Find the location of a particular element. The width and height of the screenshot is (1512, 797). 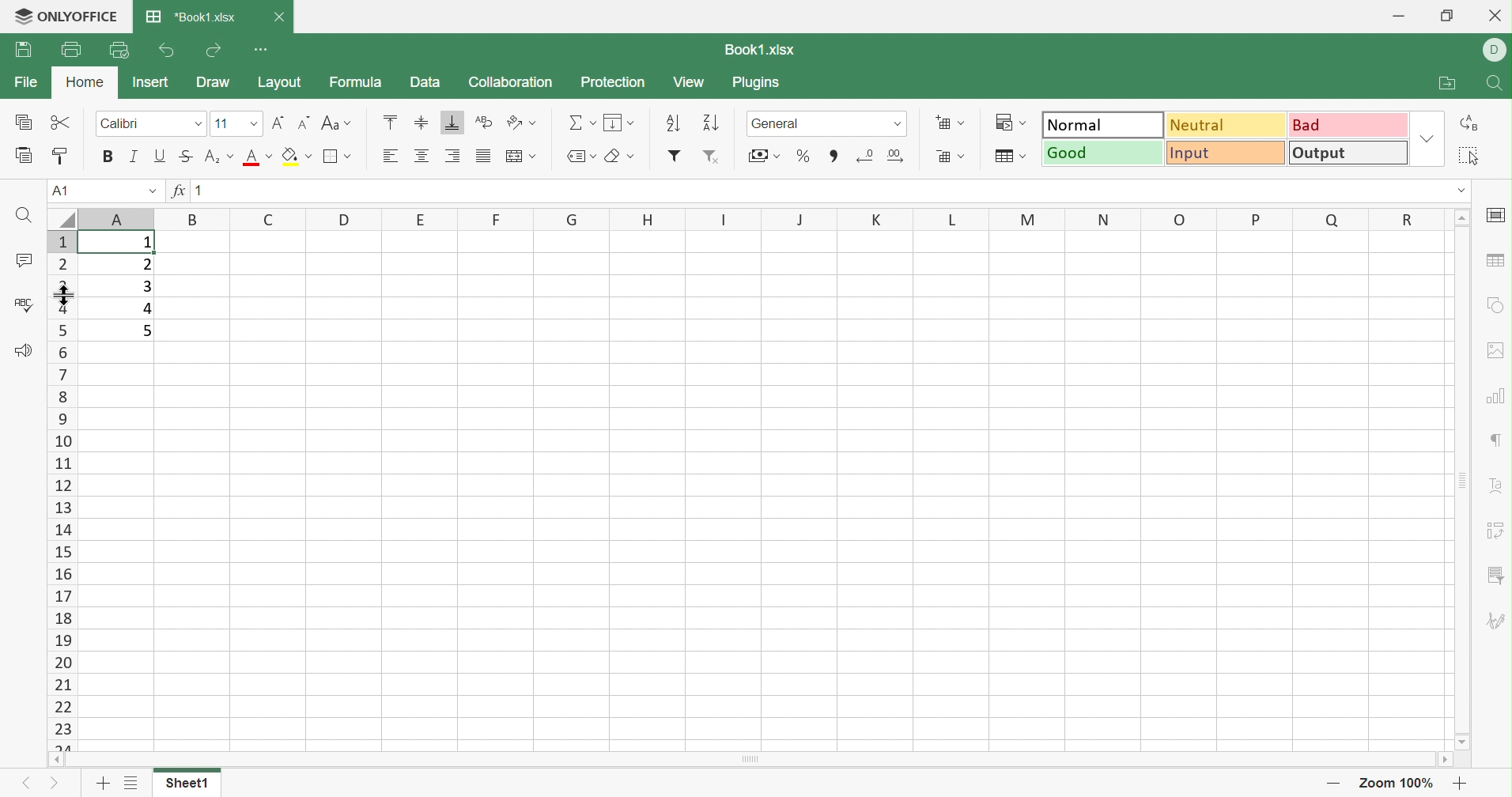

Bold is located at coordinates (107, 157).